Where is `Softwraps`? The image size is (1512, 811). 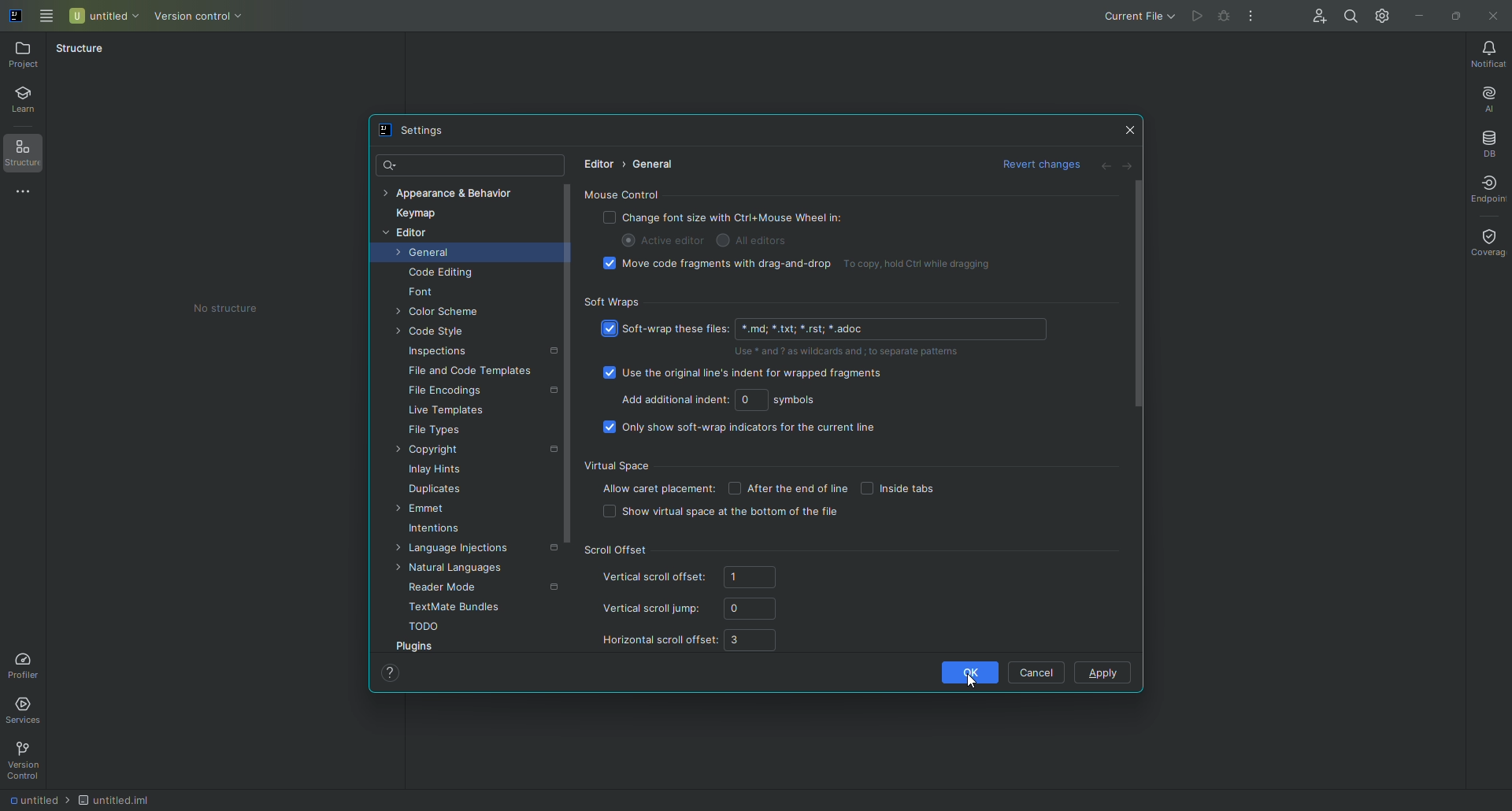
Softwraps is located at coordinates (611, 304).